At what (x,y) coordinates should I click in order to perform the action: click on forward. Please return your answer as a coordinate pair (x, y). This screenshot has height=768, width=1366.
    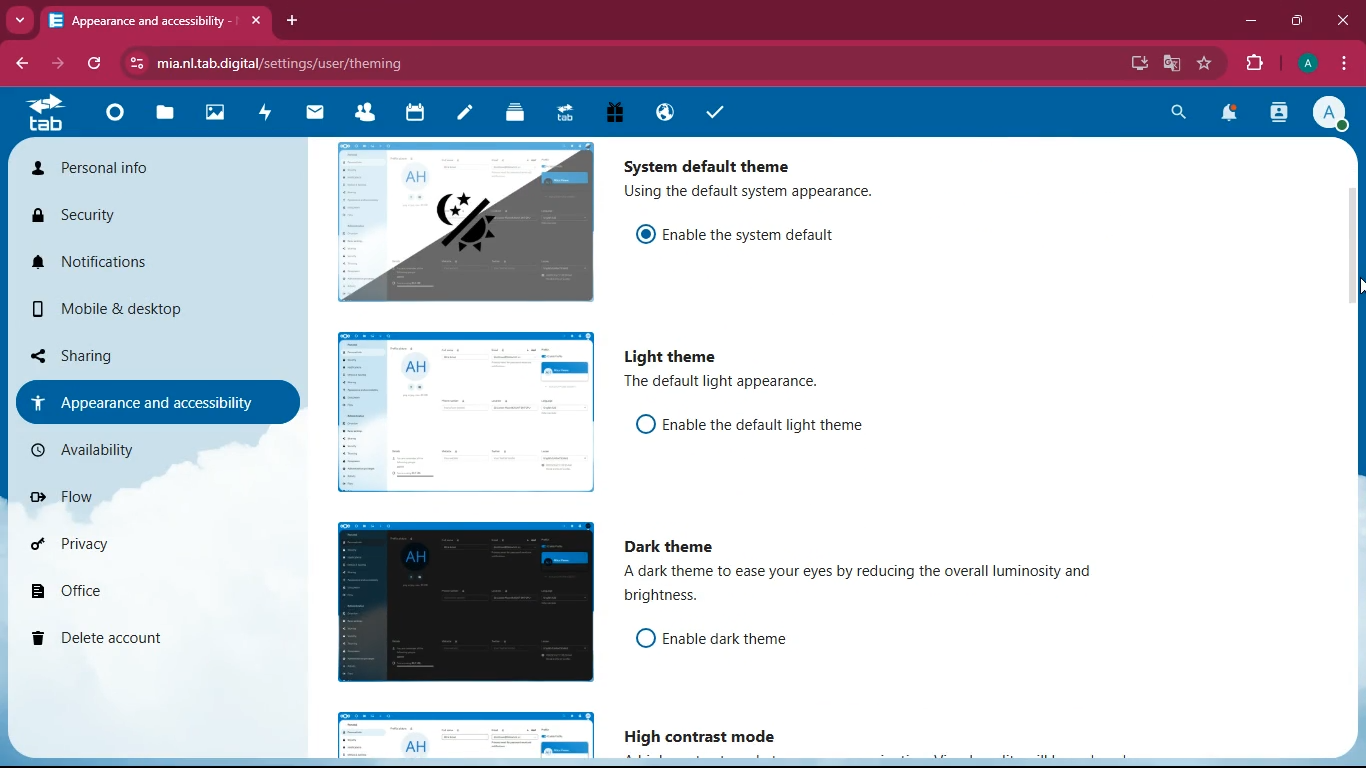
    Looking at the image, I should click on (60, 64).